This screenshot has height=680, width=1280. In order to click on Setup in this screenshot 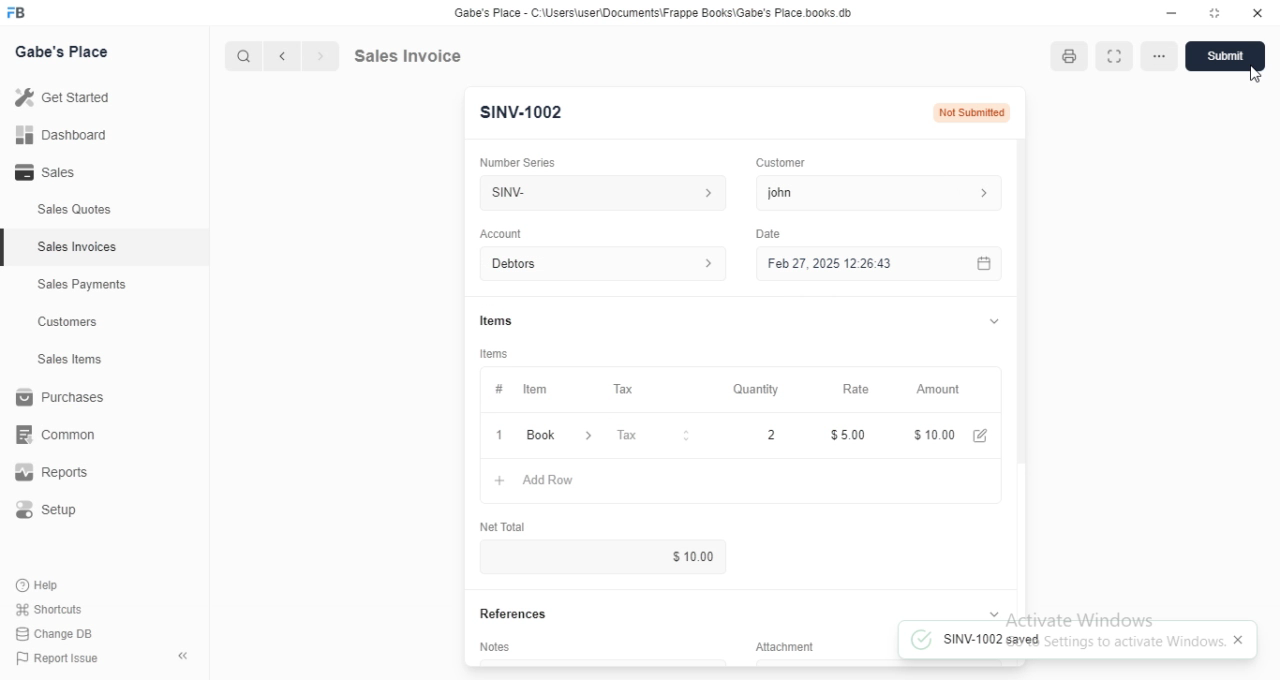, I will do `click(48, 507)`.